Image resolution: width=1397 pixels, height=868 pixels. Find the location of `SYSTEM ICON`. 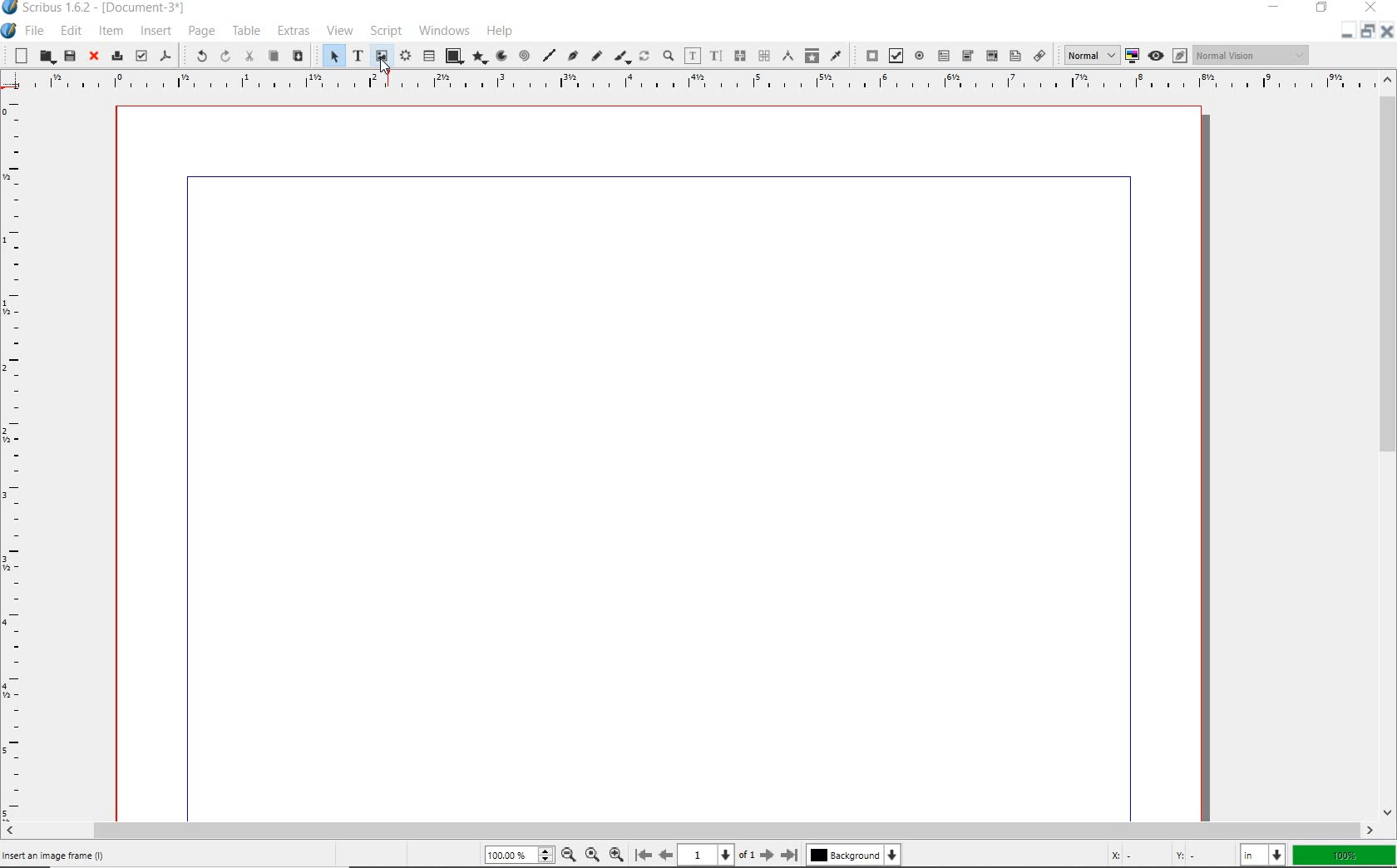

SYSTEM ICON is located at coordinates (9, 32).